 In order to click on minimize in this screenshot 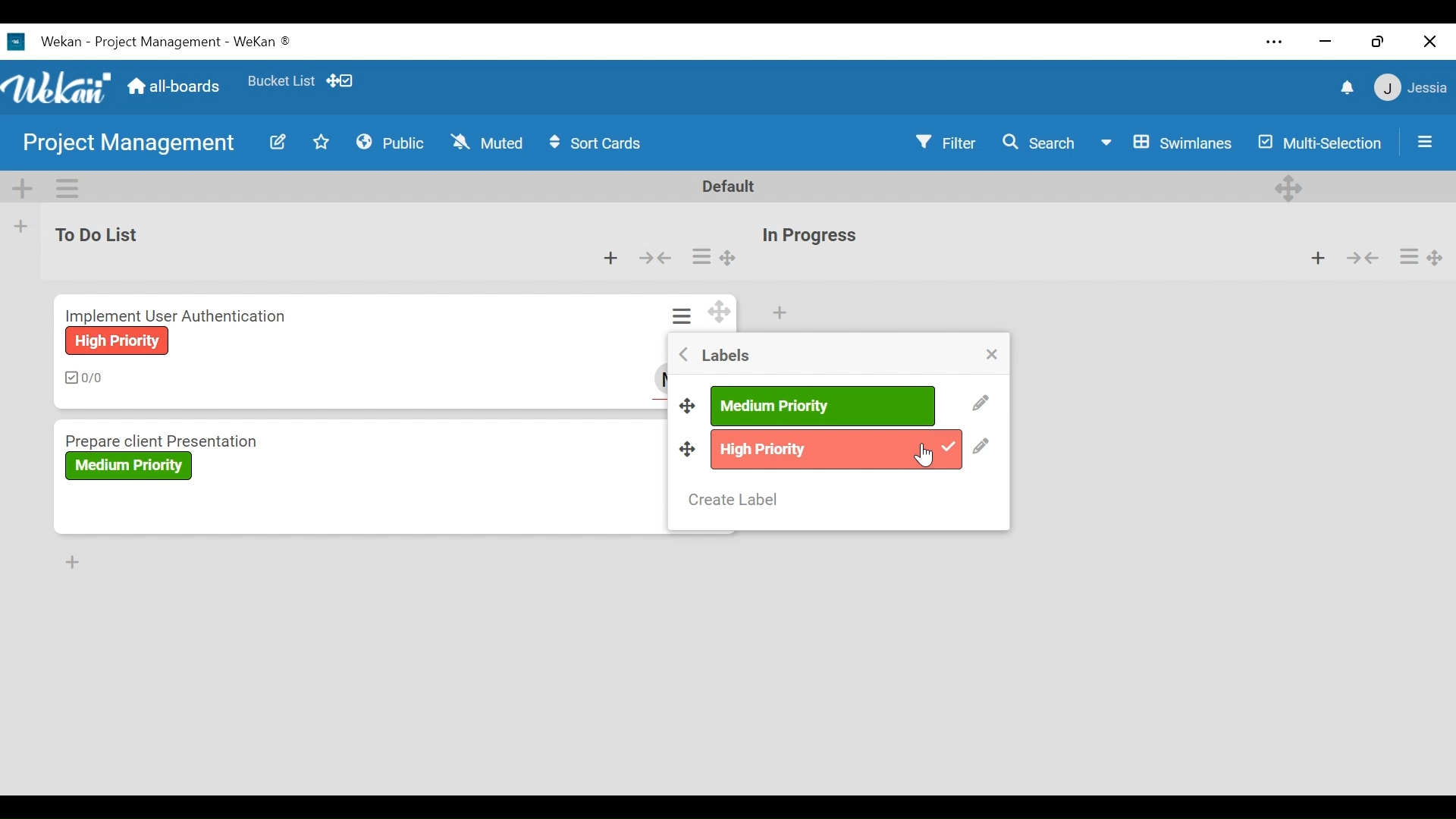, I will do `click(1323, 41)`.